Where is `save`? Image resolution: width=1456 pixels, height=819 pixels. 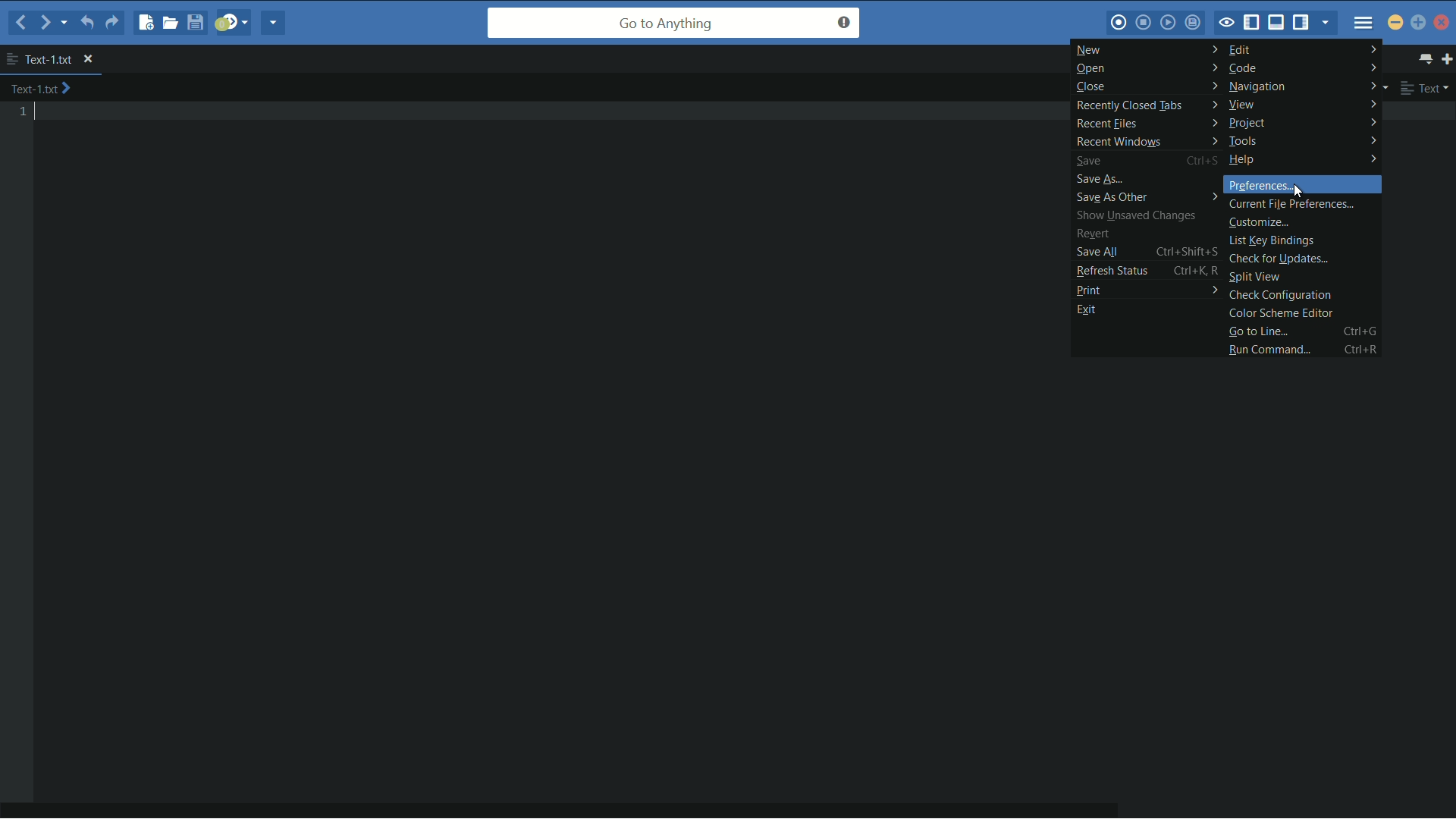 save is located at coordinates (1090, 161).